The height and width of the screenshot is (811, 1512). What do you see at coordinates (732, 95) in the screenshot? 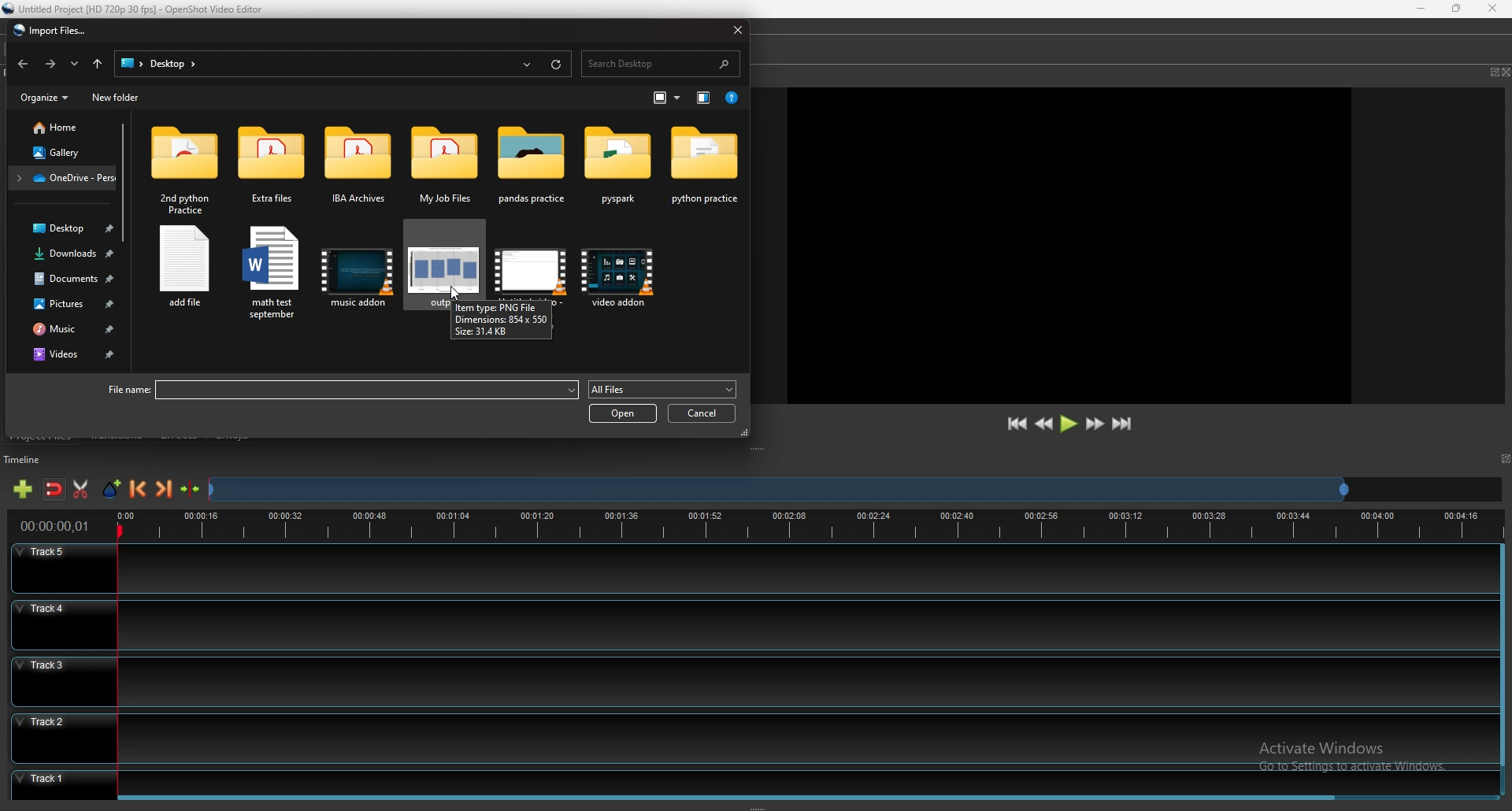
I see `help` at bounding box center [732, 95].